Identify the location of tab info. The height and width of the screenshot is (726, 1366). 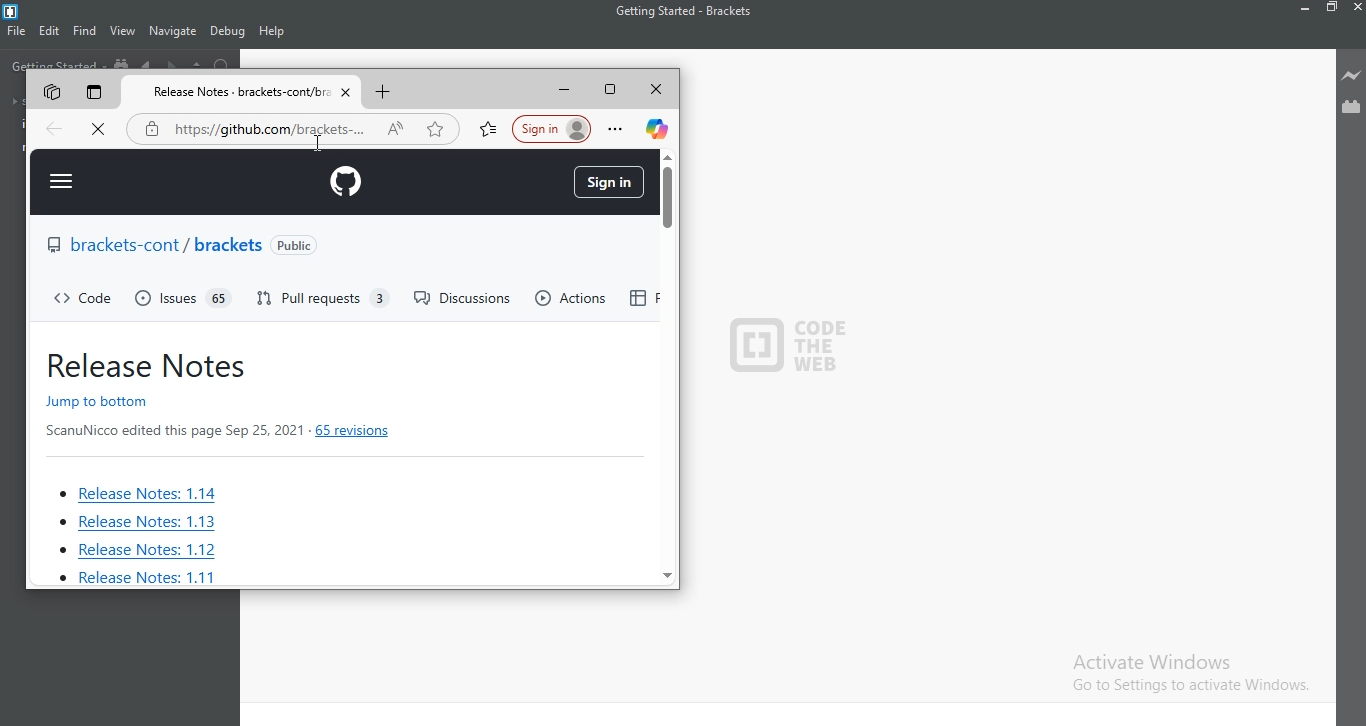
(243, 92).